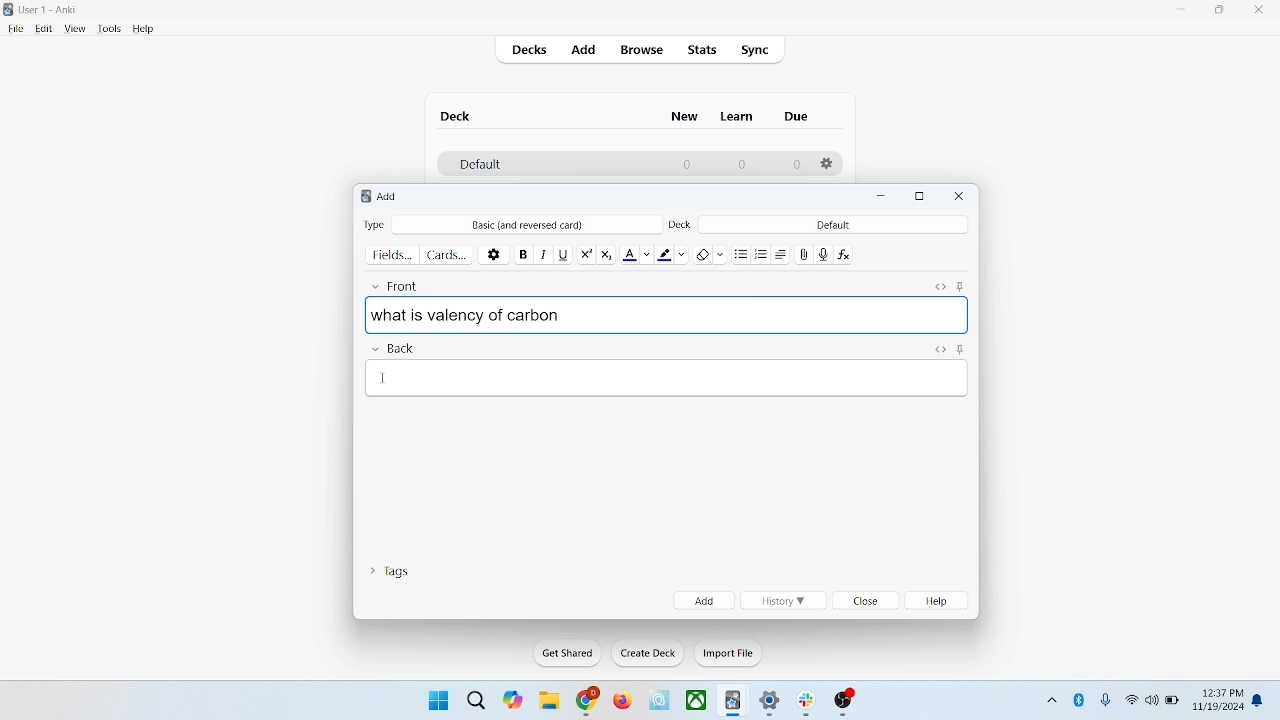 The width and height of the screenshot is (1280, 720). What do you see at coordinates (697, 700) in the screenshot?
I see `x-box` at bounding box center [697, 700].